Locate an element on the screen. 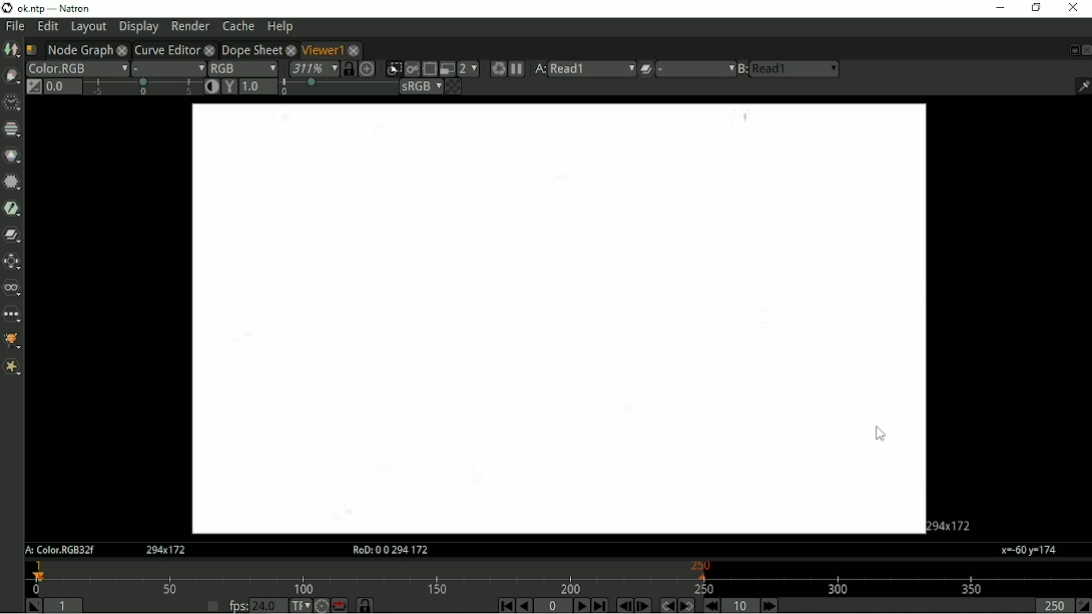  Channel is located at coordinates (13, 130).